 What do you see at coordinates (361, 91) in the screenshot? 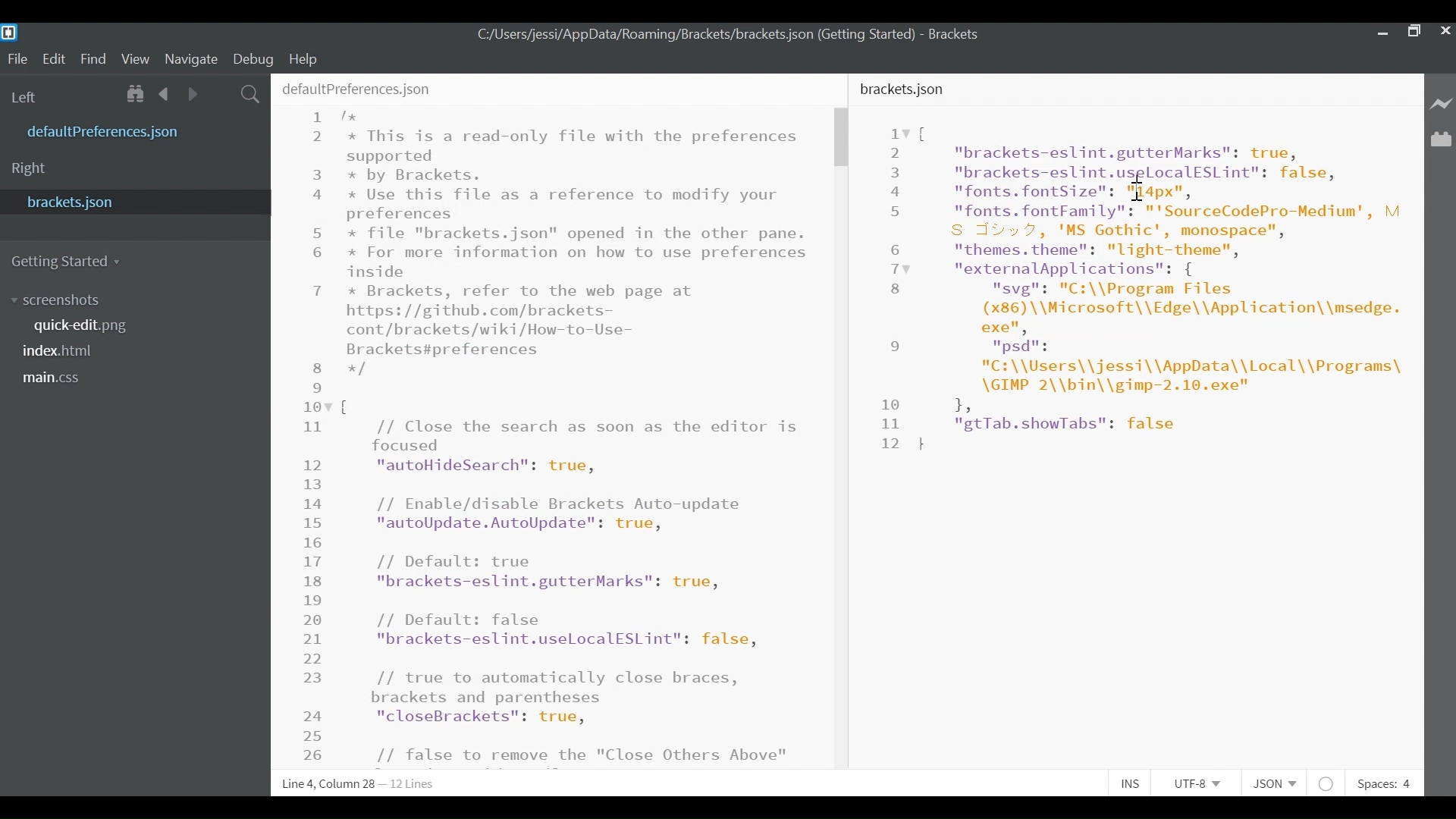
I see `defaultPreferences.json ` at bounding box center [361, 91].